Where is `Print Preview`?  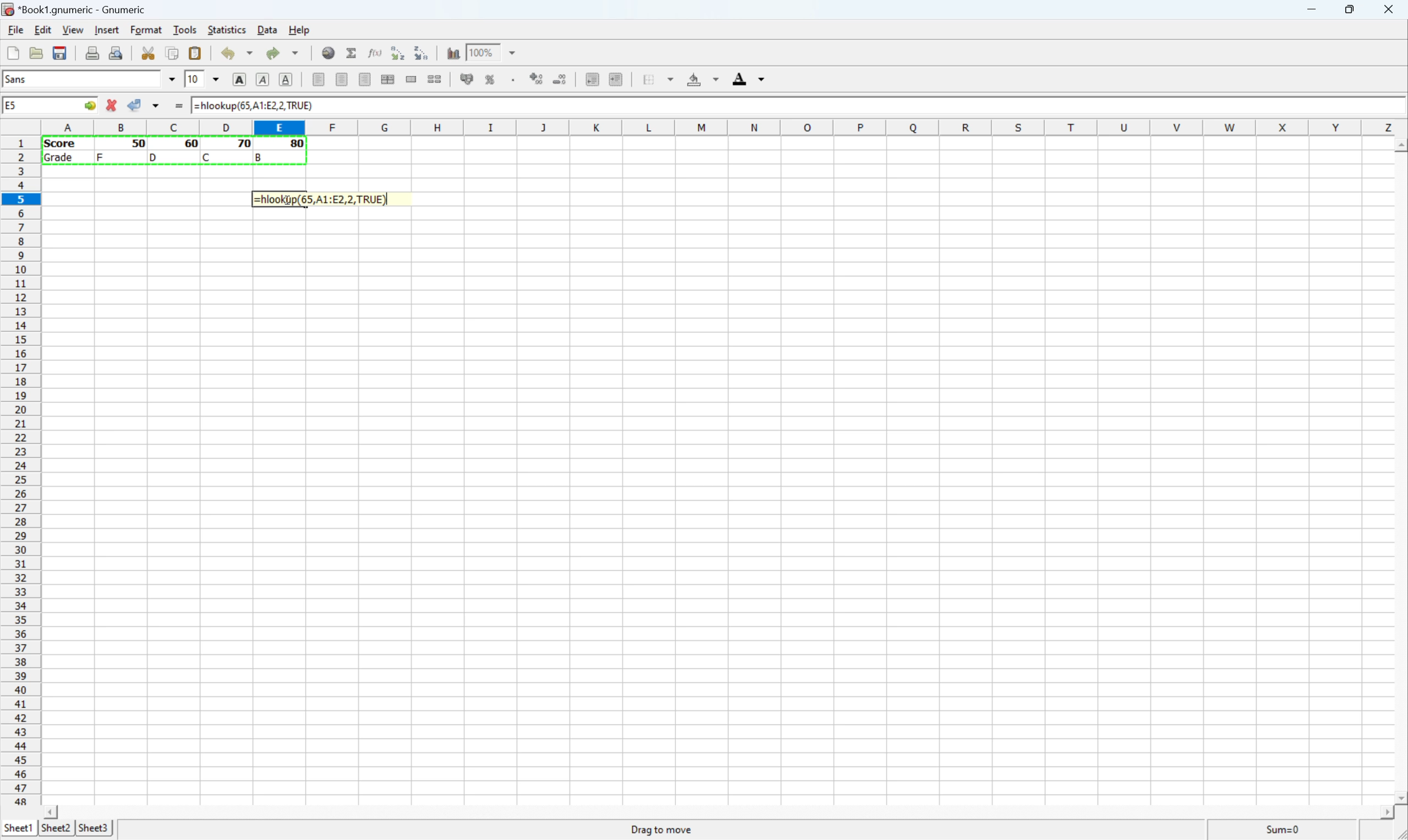 Print Preview is located at coordinates (119, 53).